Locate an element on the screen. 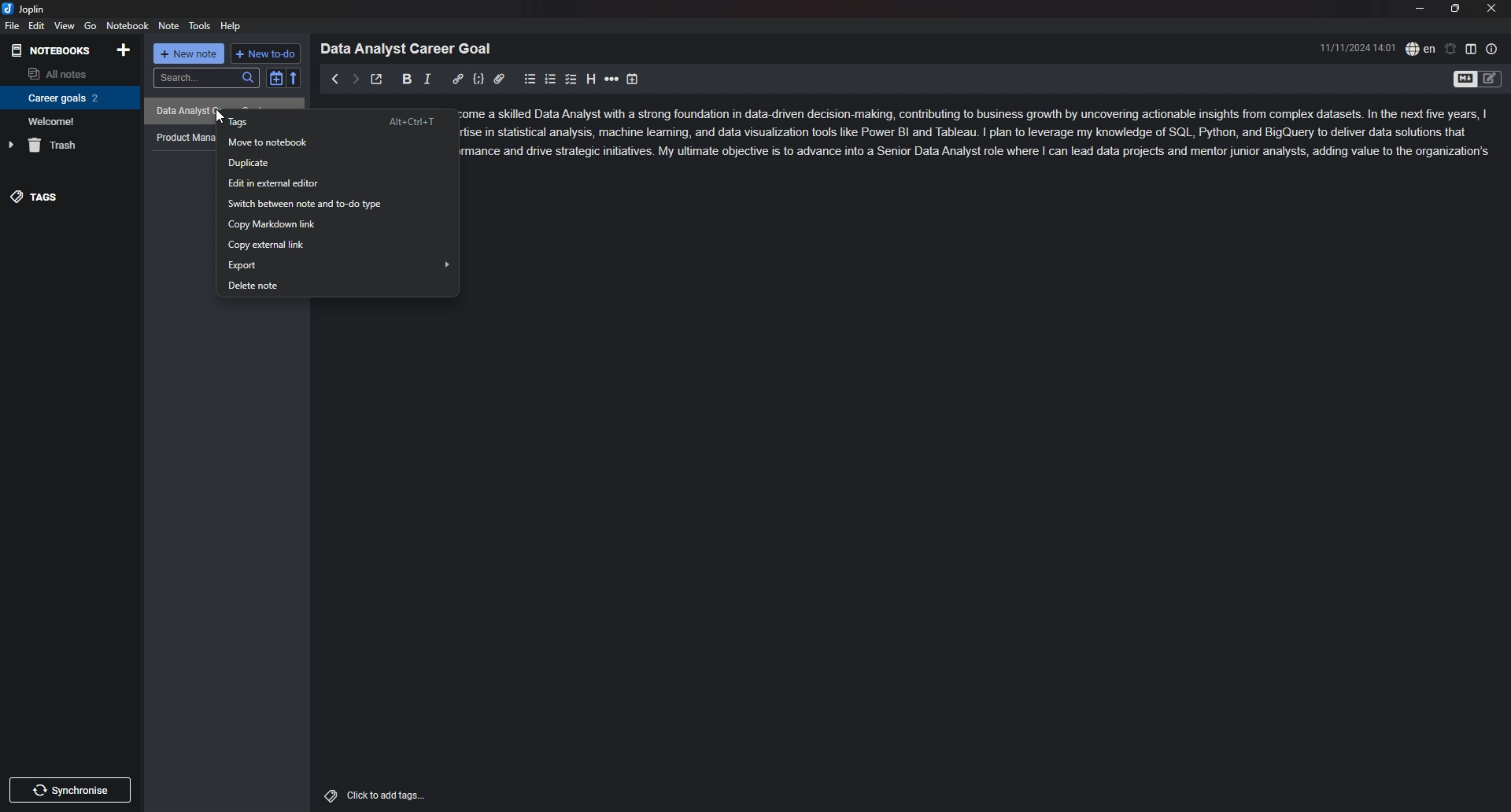 The width and height of the screenshot is (1511, 812). spell check is located at coordinates (1420, 49).